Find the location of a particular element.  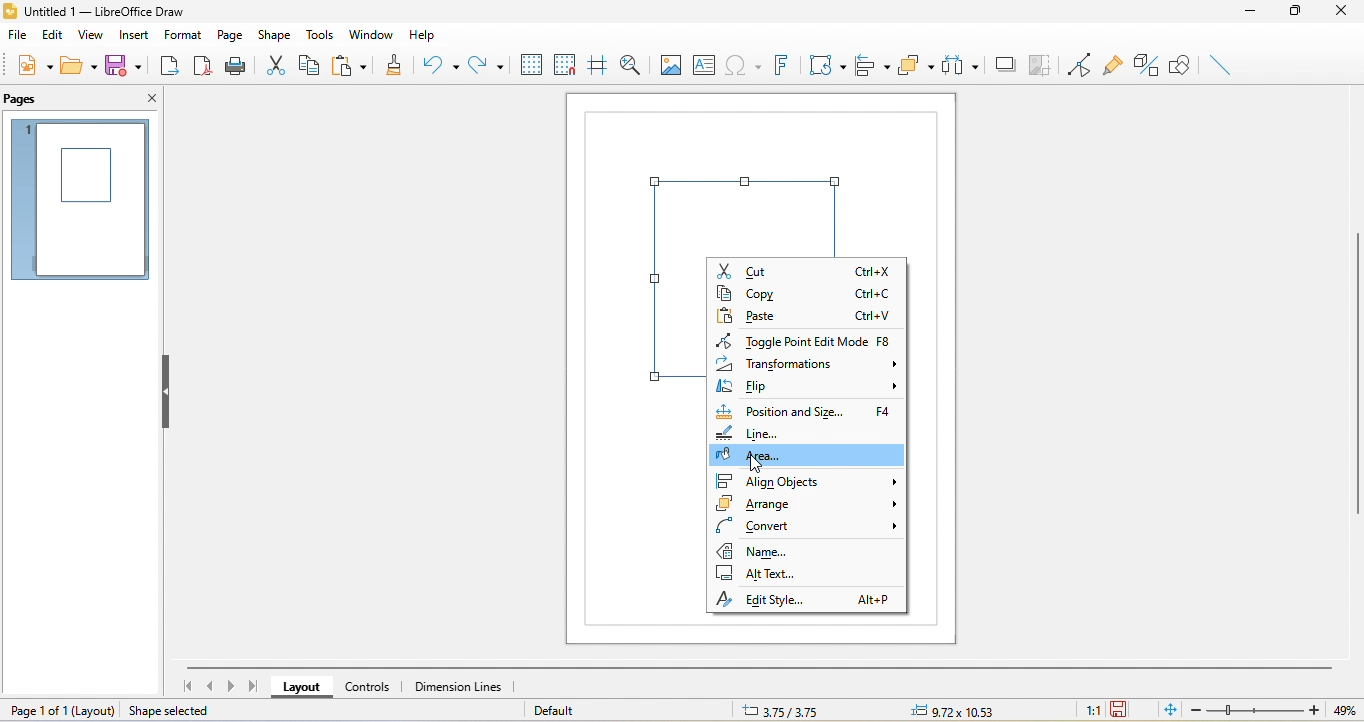

transformation is located at coordinates (827, 67).